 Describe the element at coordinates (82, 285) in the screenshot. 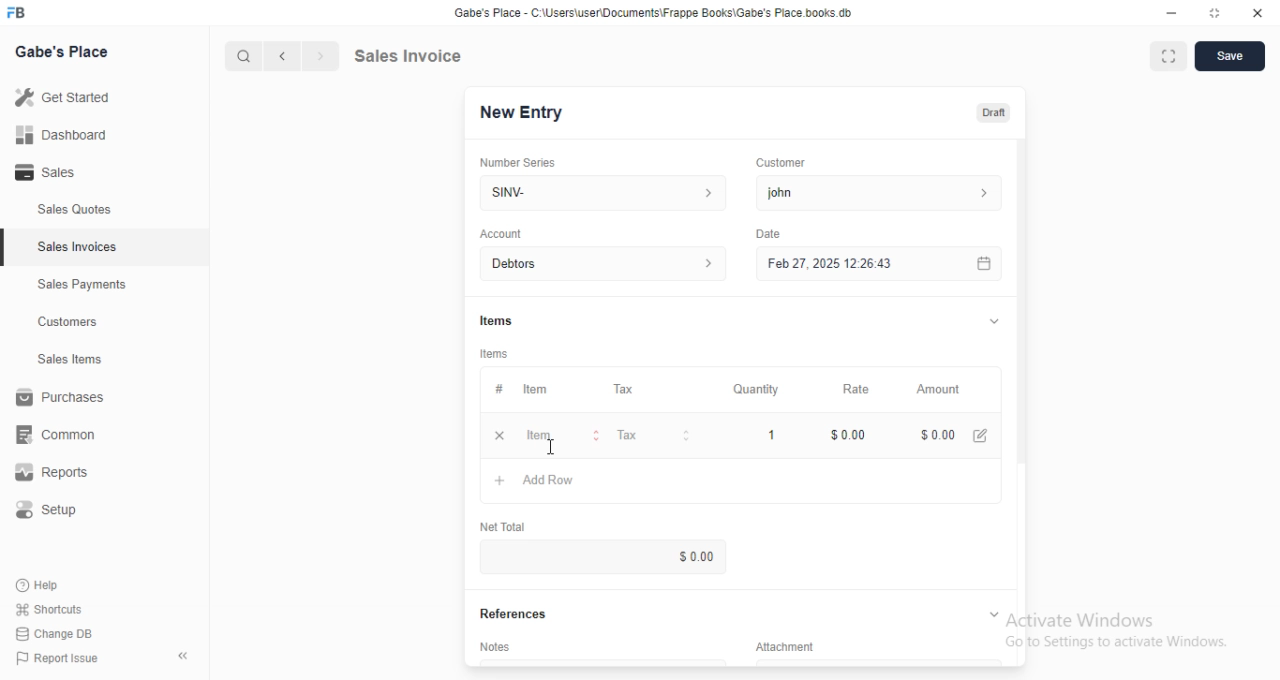

I see `Sales Payments` at that location.